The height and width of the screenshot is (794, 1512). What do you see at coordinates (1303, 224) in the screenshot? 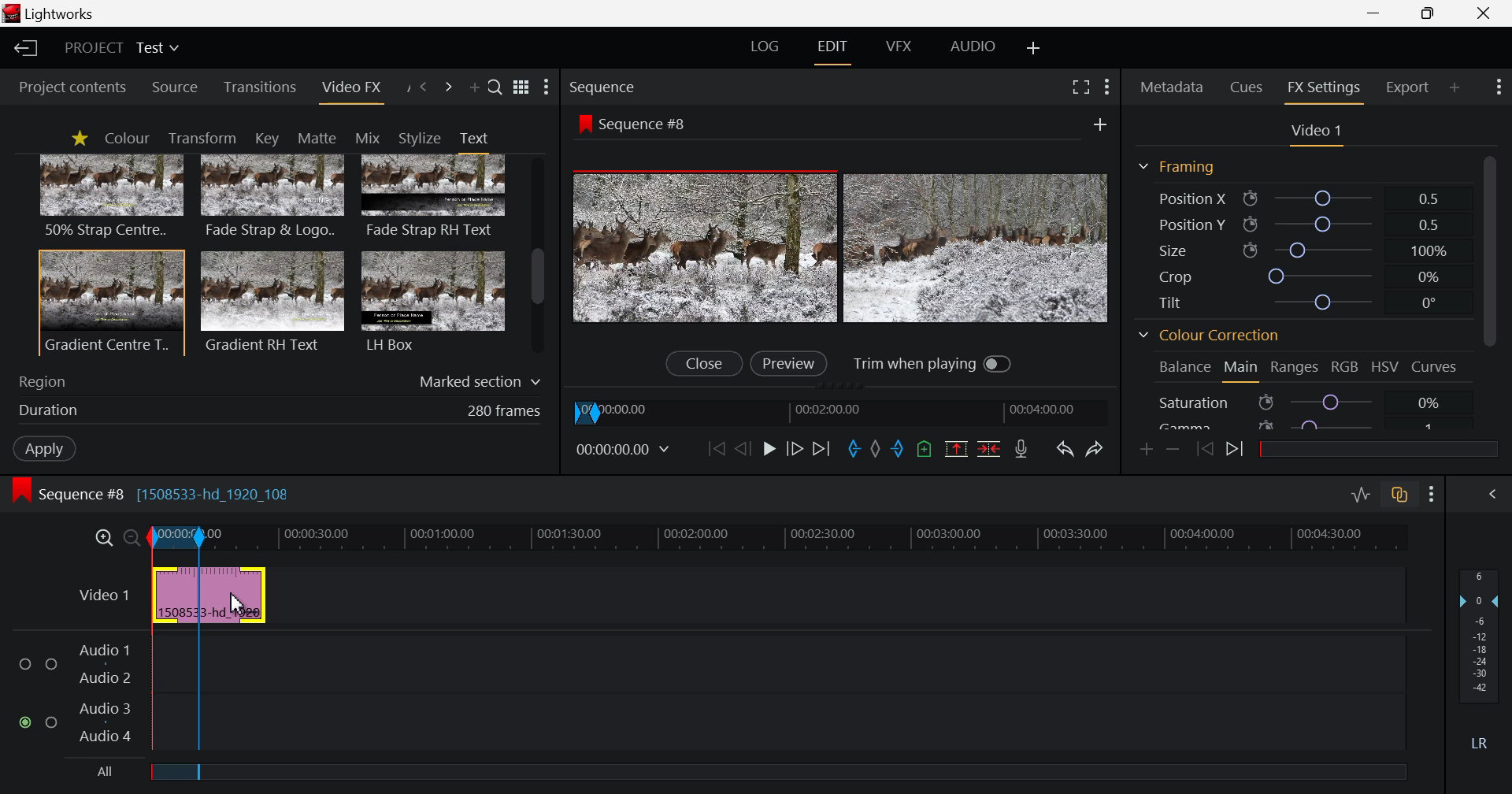
I see `Position Y` at bounding box center [1303, 224].